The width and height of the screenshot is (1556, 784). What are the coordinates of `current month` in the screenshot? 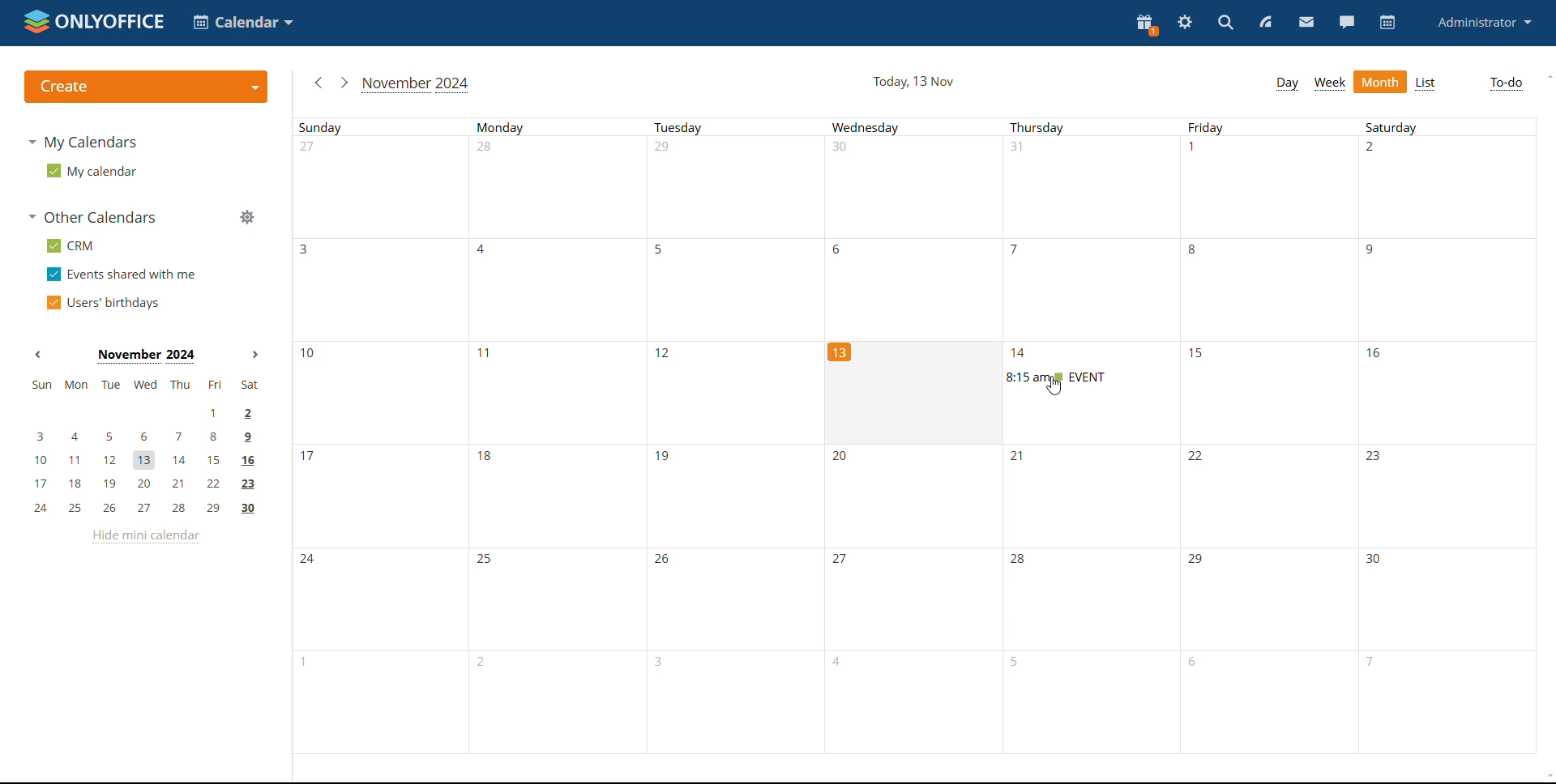 It's located at (417, 84).